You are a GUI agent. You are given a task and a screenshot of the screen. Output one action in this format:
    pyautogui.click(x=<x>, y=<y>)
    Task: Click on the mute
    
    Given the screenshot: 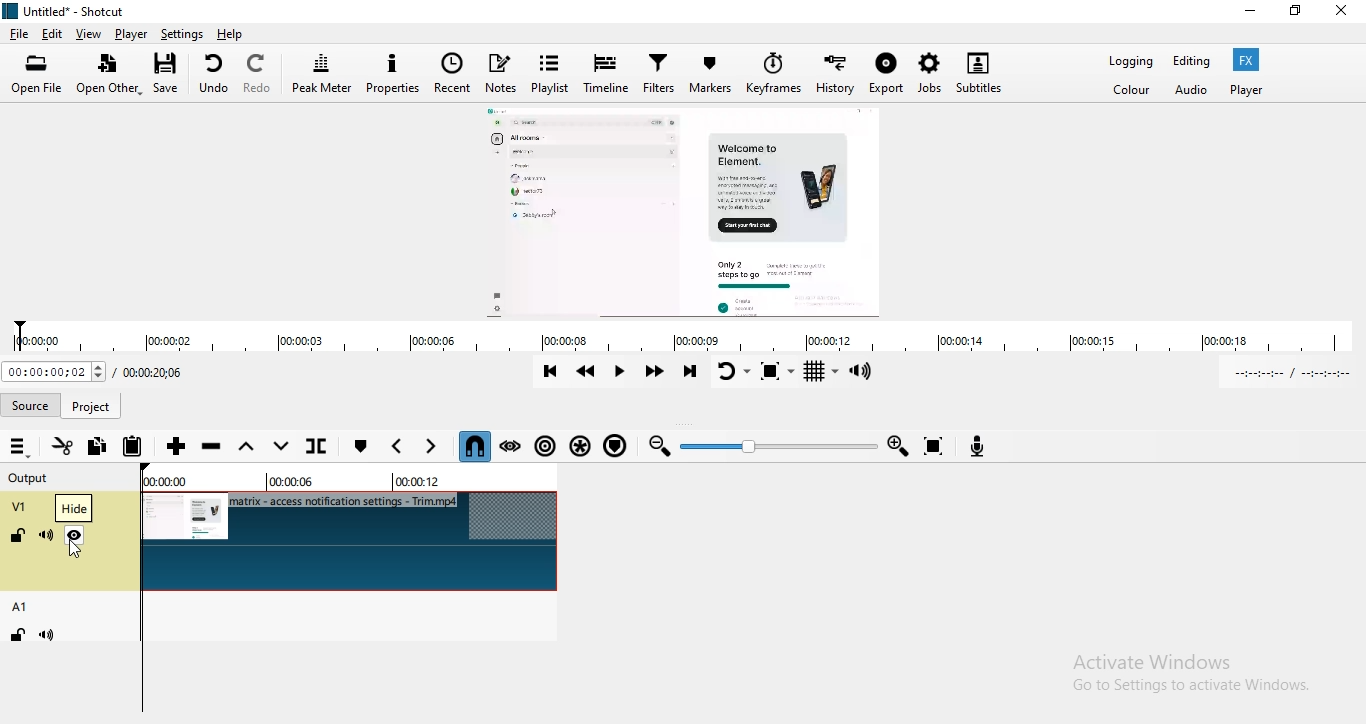 What is the action you would take?
    pyautogui.click(x=50, y=635)
    